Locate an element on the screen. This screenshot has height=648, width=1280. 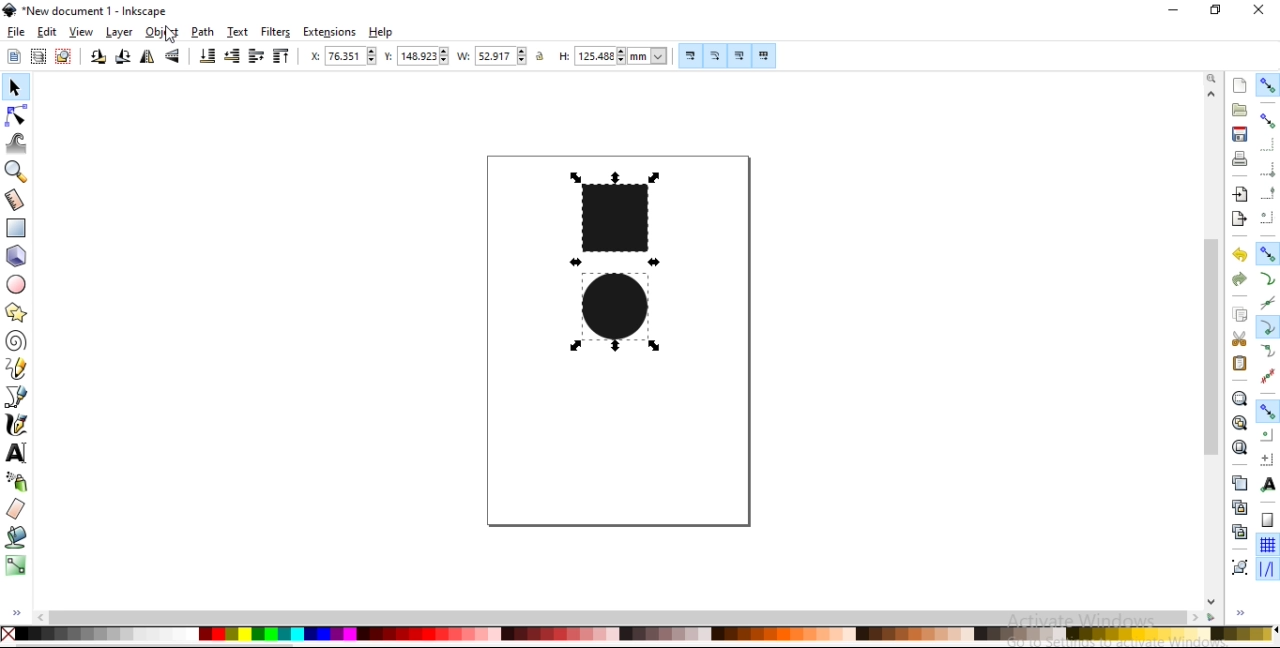
deselect any selected objects is located at coordinates (66, 57).